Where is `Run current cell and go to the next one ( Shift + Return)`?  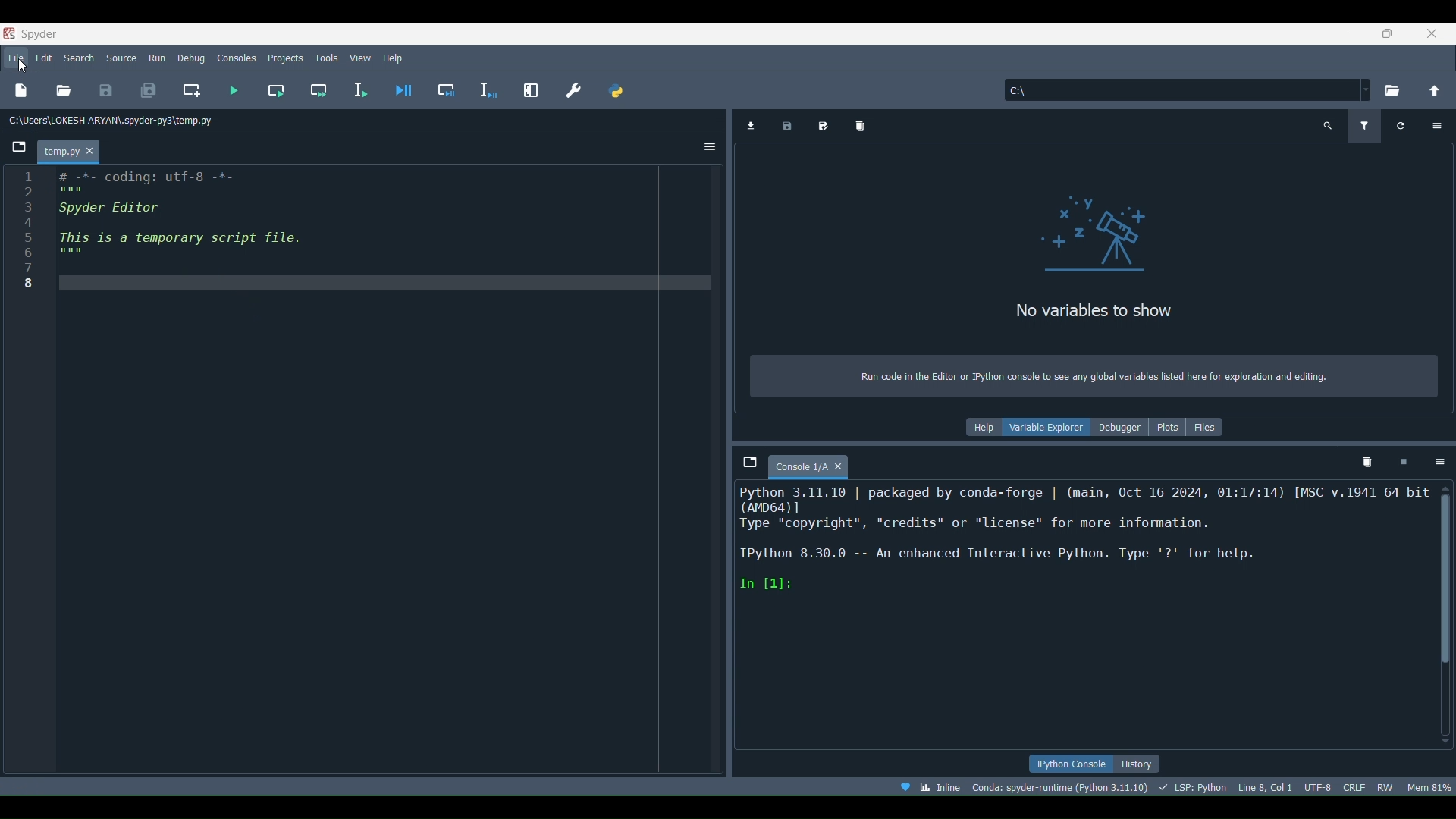 Run current cell and go to the next one ( Shift + Return) is located at coordinates (313, 91).